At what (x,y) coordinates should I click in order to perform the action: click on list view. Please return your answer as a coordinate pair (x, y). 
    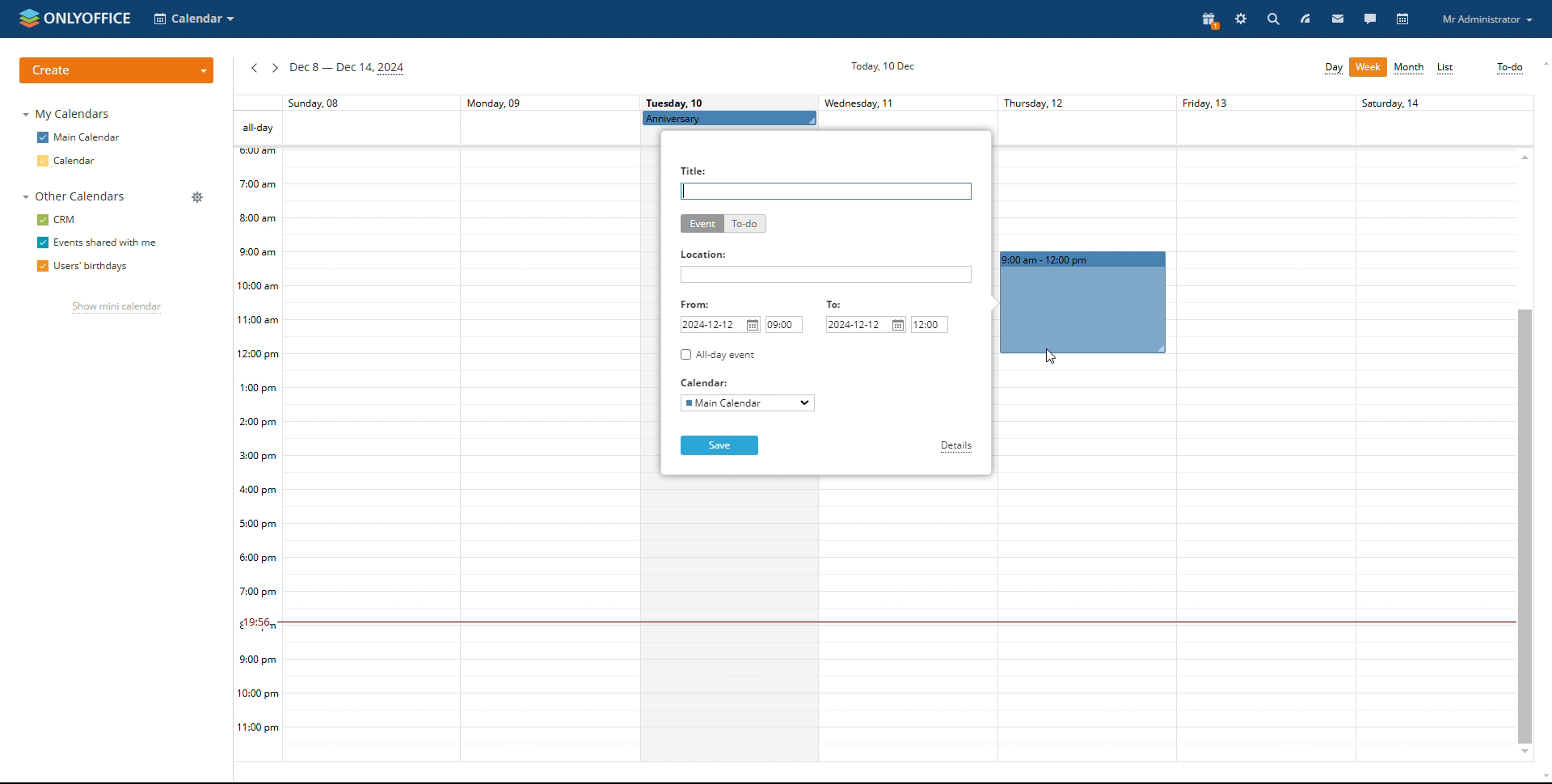
    Looking at the image, I should click on (1446, 69).